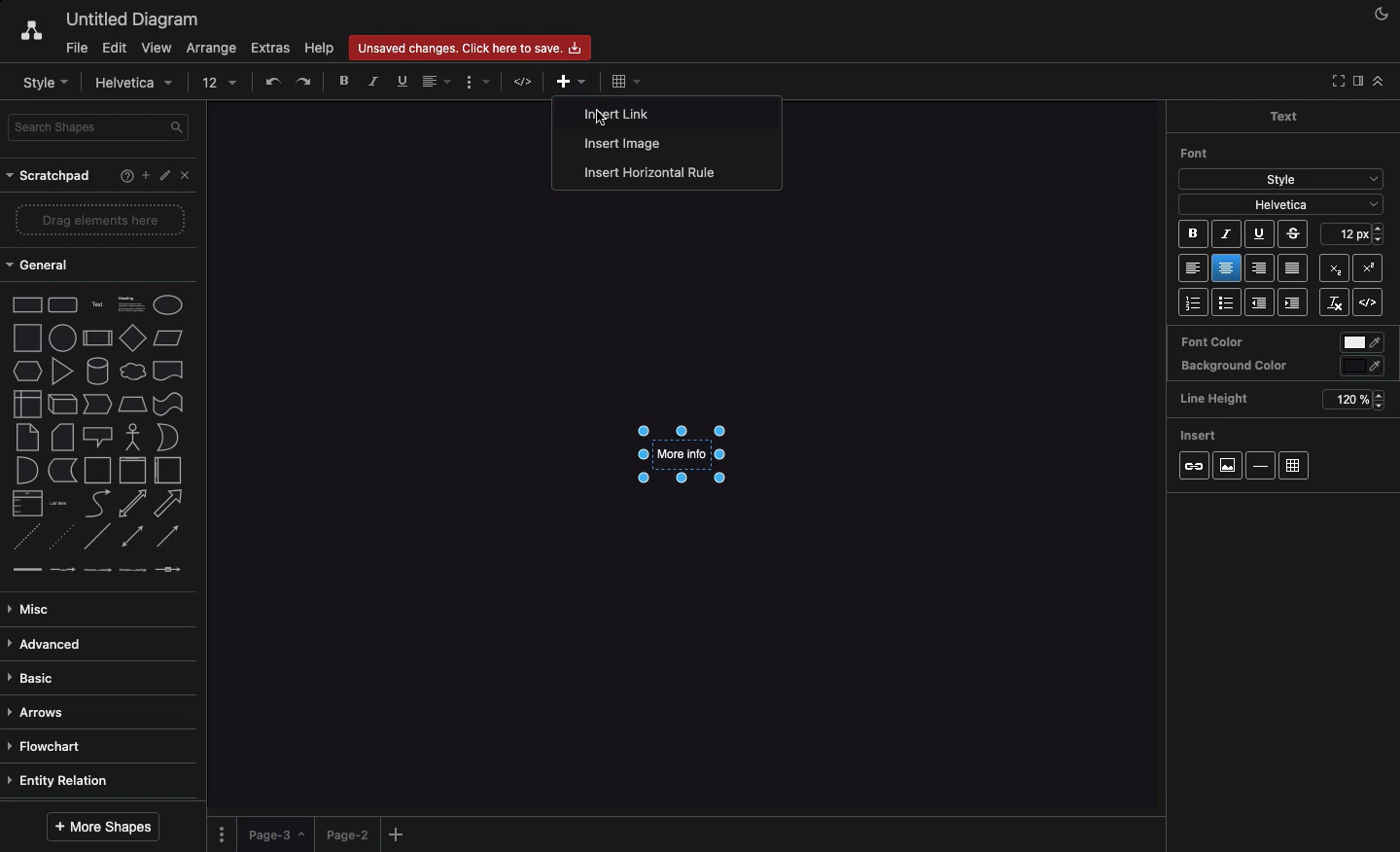 This screenshot has height=852, width=1400. I want to click on View, so click(155, 45).